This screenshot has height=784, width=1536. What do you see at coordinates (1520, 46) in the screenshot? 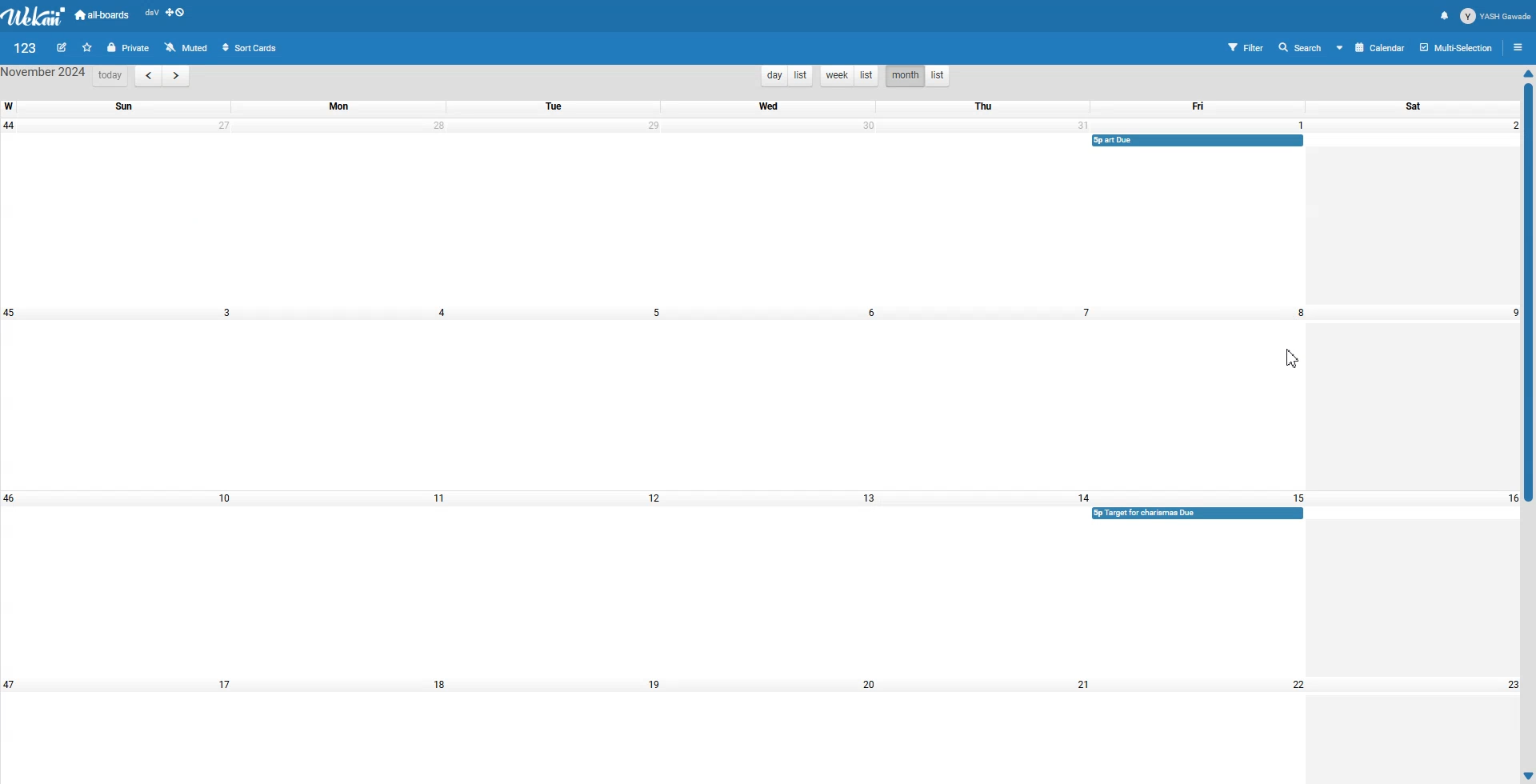
I see `Open sidebar` at bounding box center [1520, 46].